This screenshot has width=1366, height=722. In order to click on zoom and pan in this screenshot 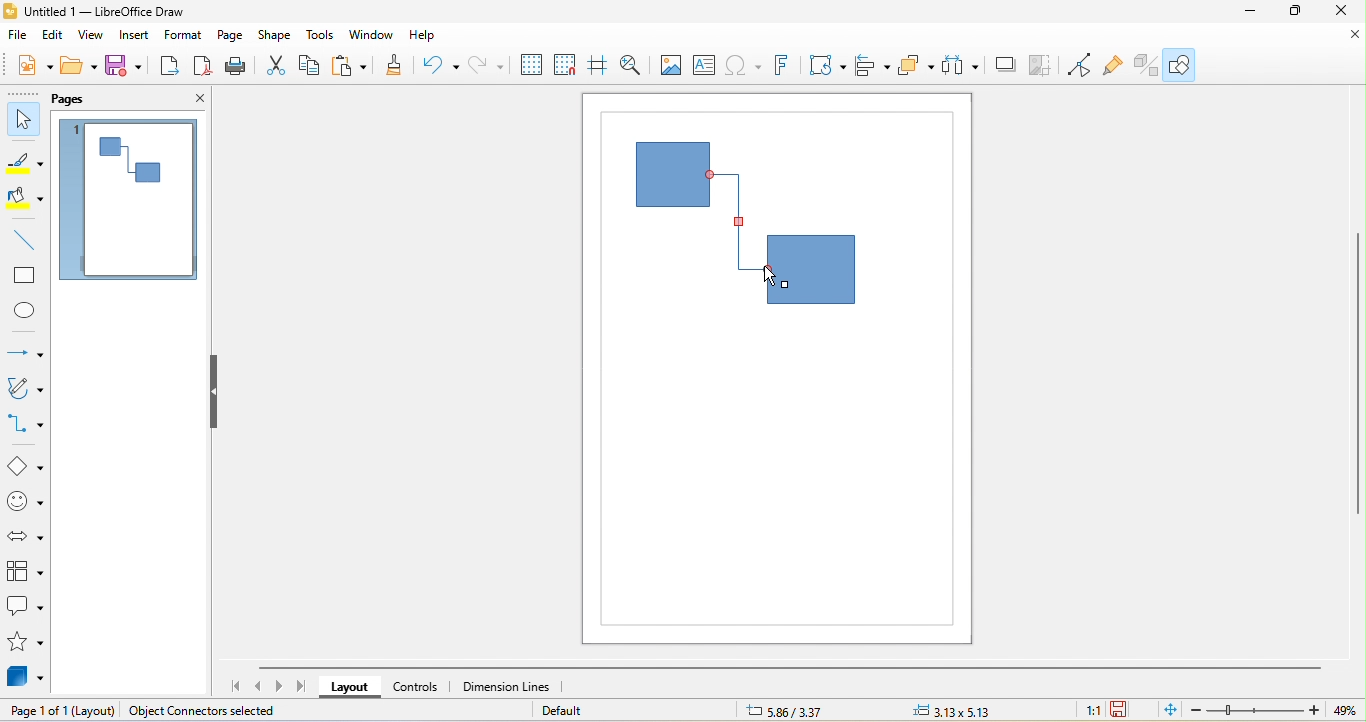, I will do `click(634, 65)`.